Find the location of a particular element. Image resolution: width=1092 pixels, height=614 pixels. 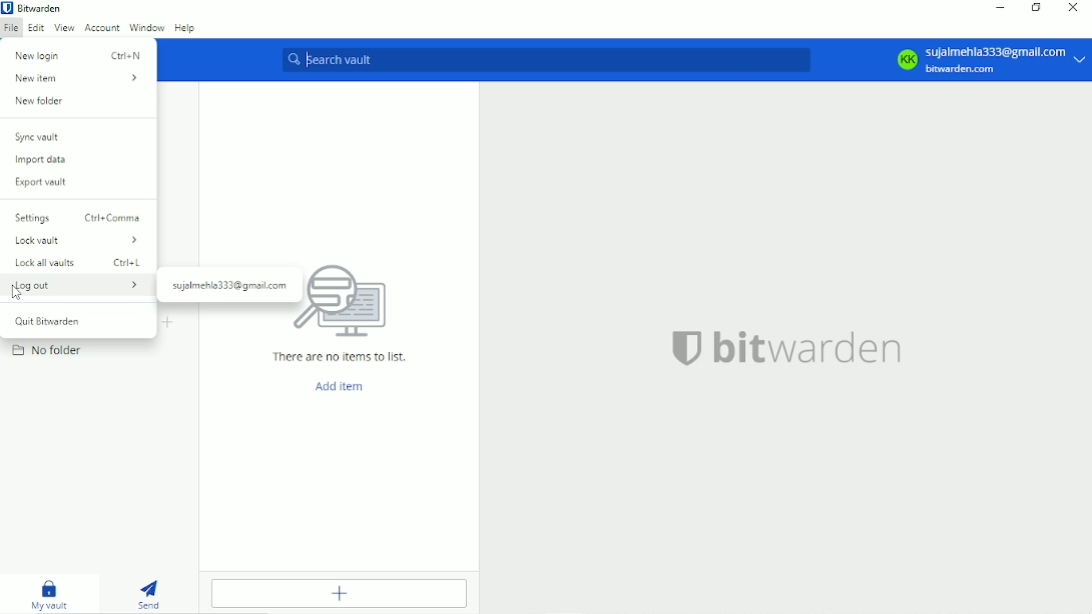

sujaimehla333@gmail.com bitwarden.com is located at coordinates (1008, 60).